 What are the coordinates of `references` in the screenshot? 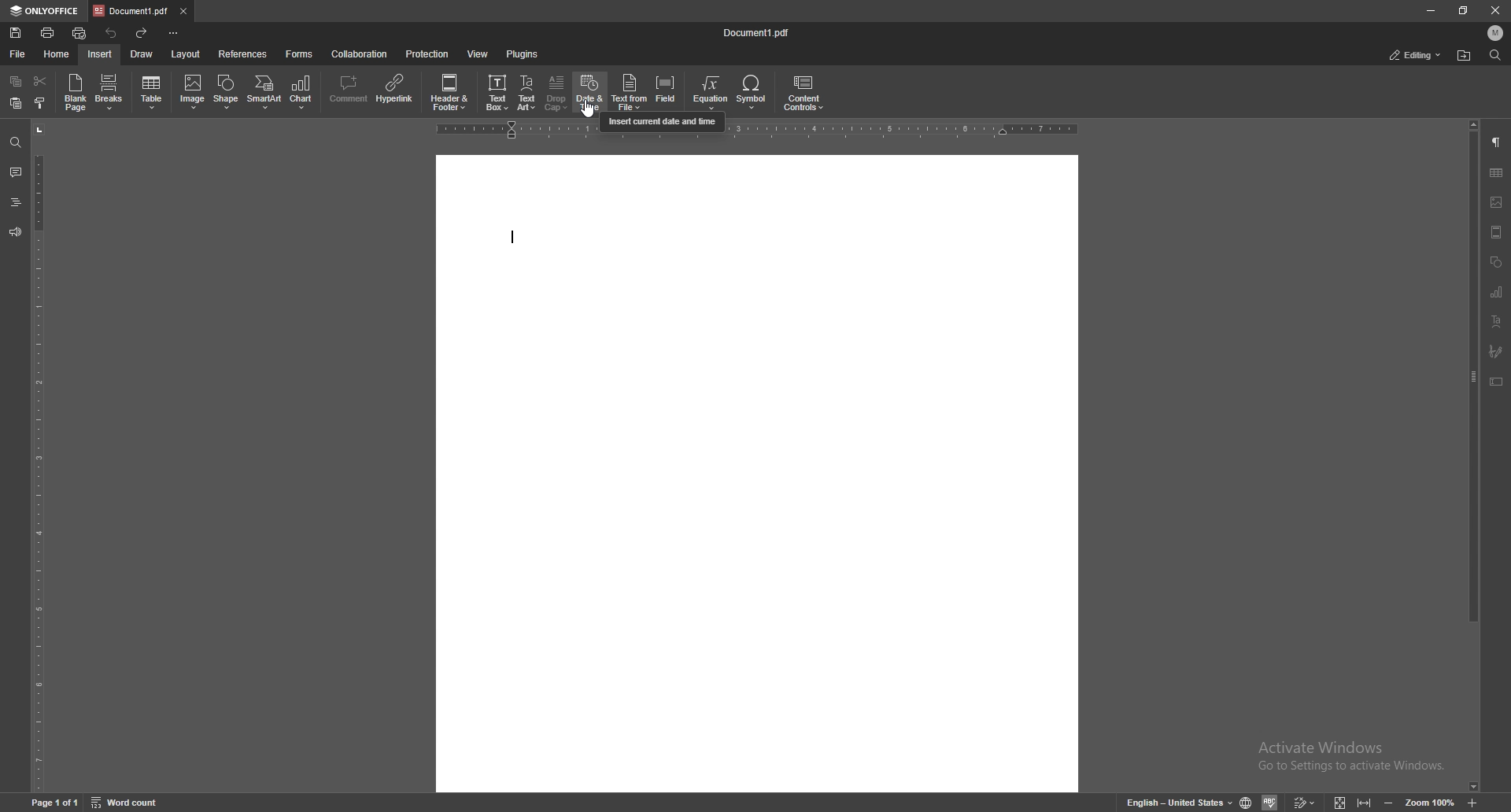 It's located at (242, 54).